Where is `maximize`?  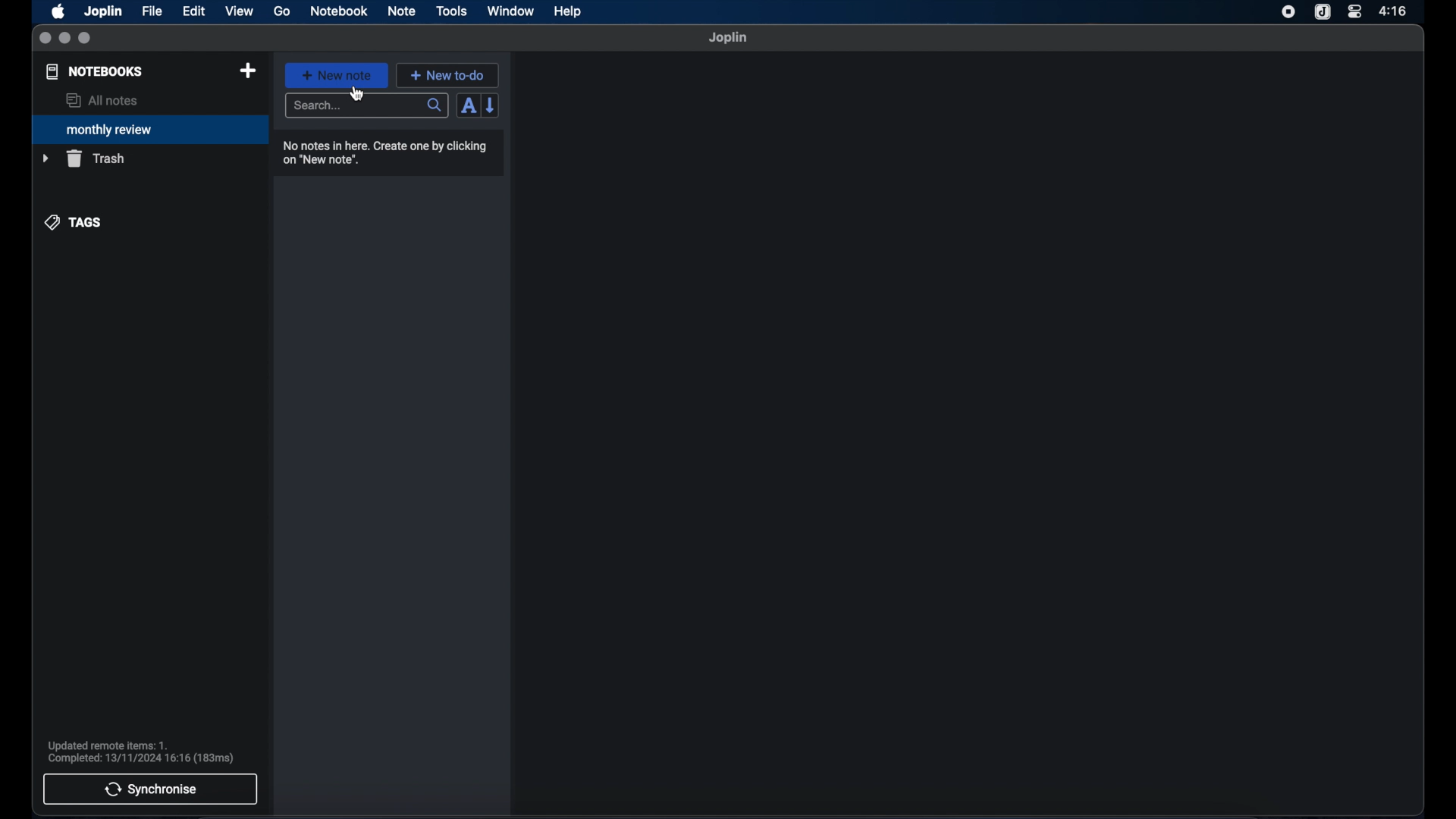
maximize is located at coordinates (86, 39).